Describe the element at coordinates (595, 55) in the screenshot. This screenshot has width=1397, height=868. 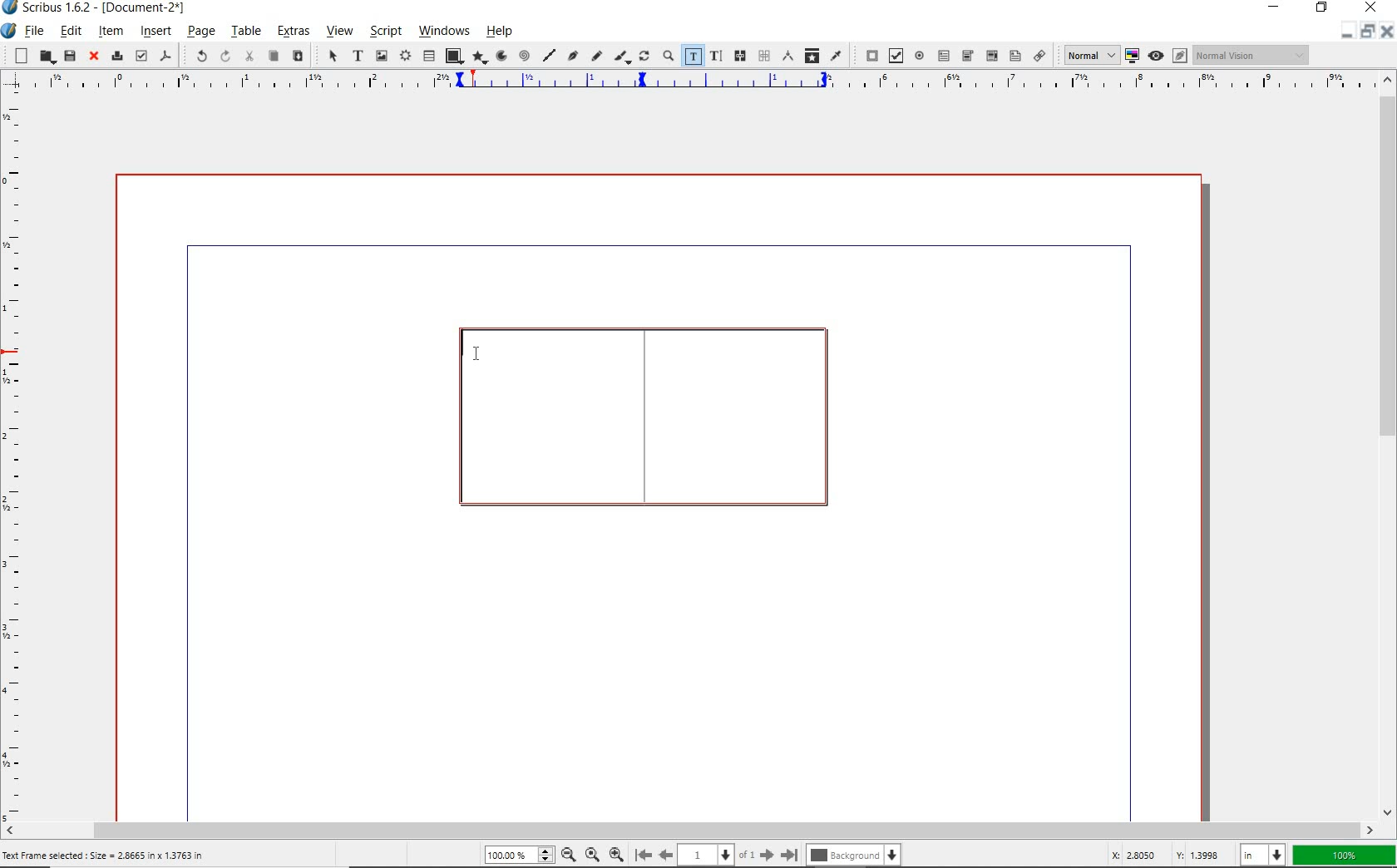
I see `freehand line` at that location.